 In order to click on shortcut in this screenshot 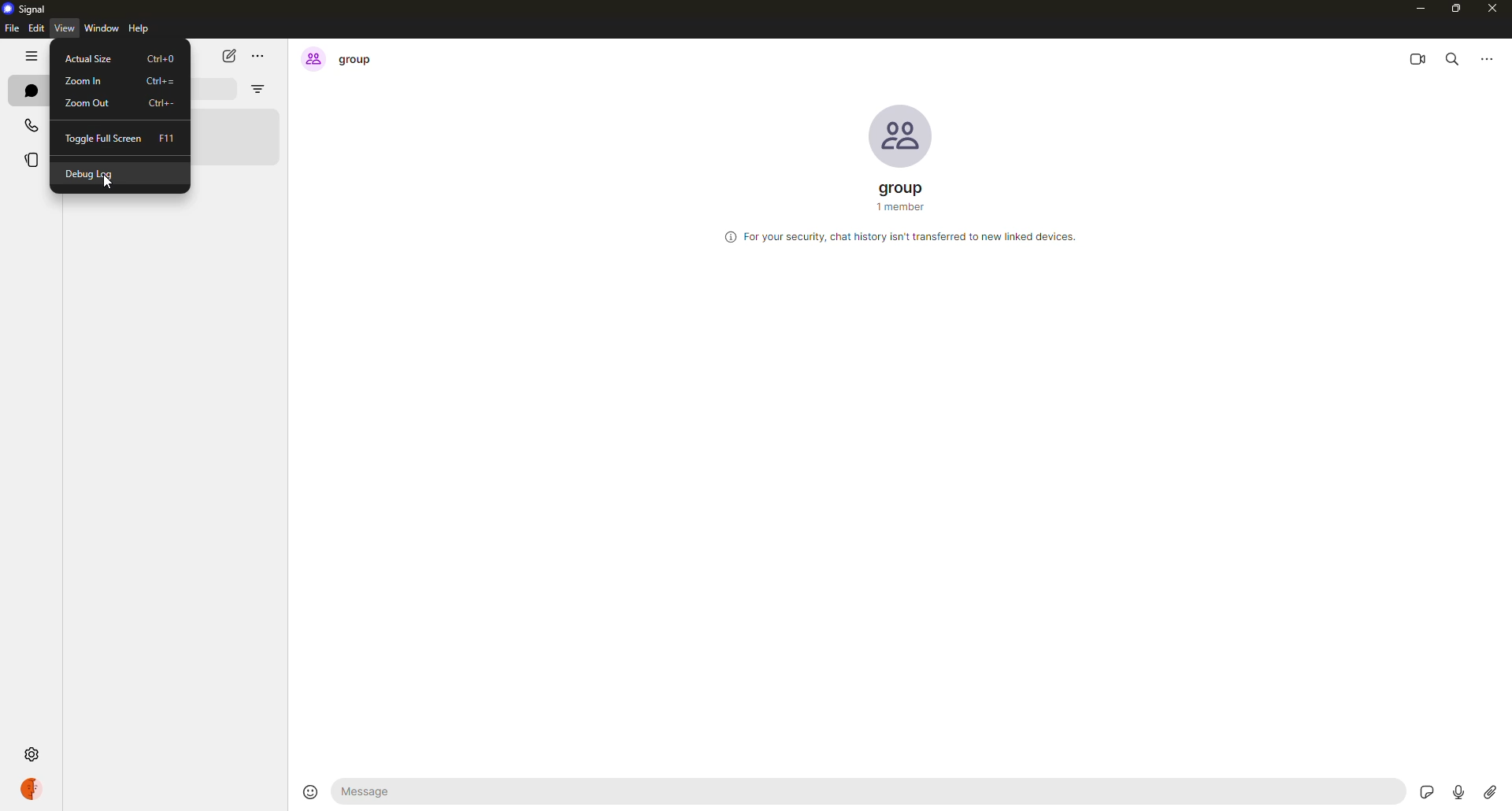, I will do `click(160, 105)`.